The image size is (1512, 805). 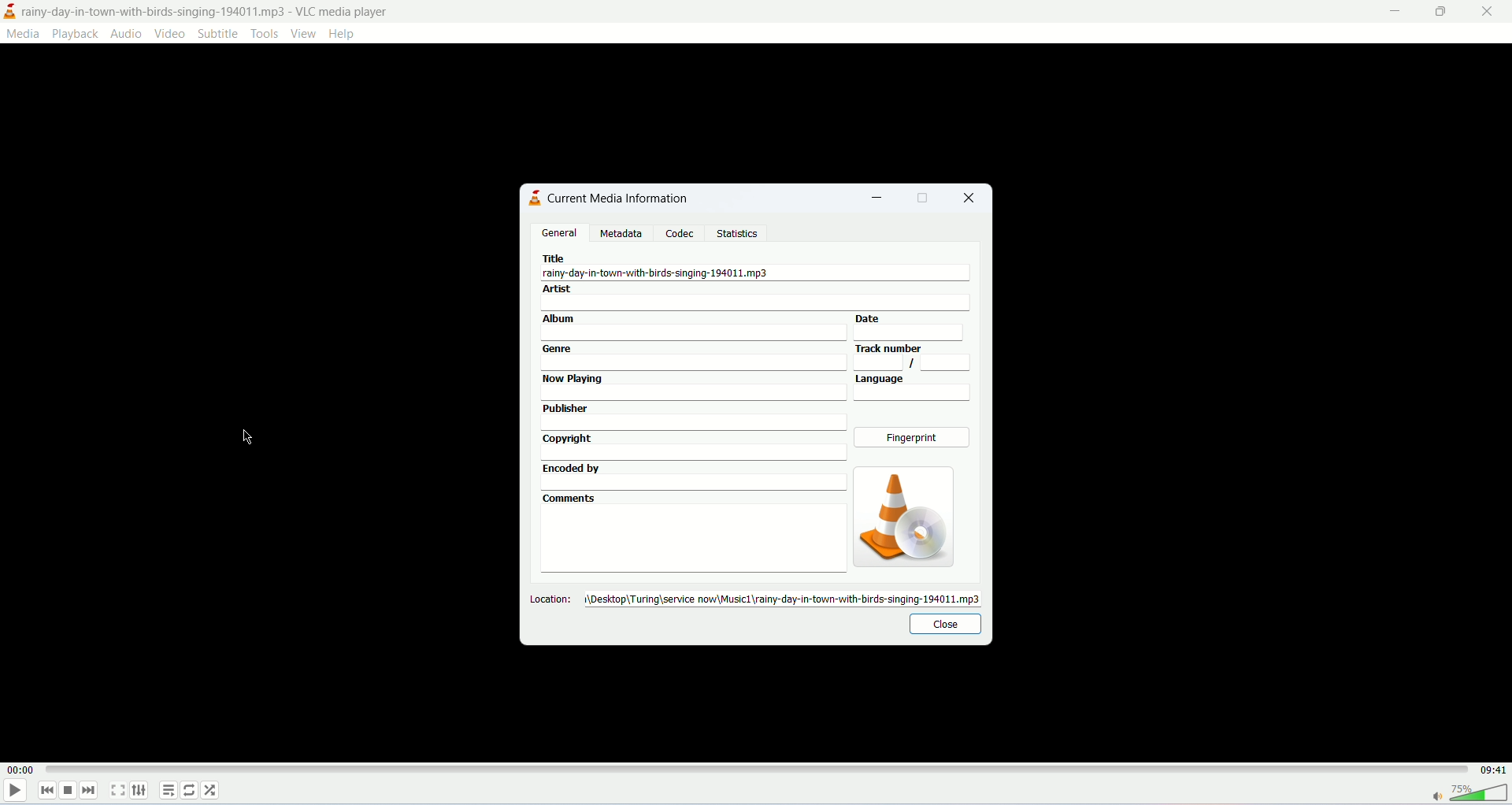 What do you see at coordinates (265, 33) in the screenshot?
I see `tools` at bounding box center [265, 33].